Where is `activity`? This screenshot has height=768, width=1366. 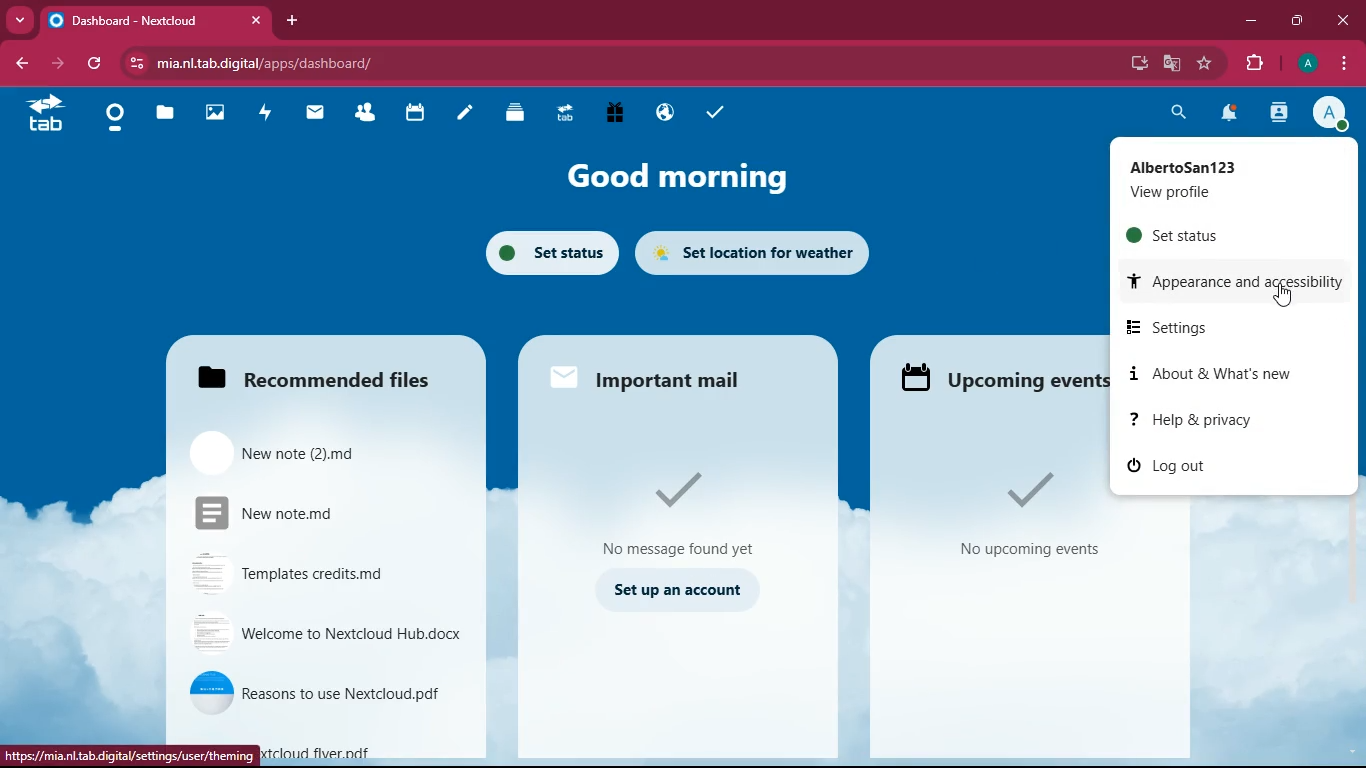 activity is located at coordinates (260, 114).